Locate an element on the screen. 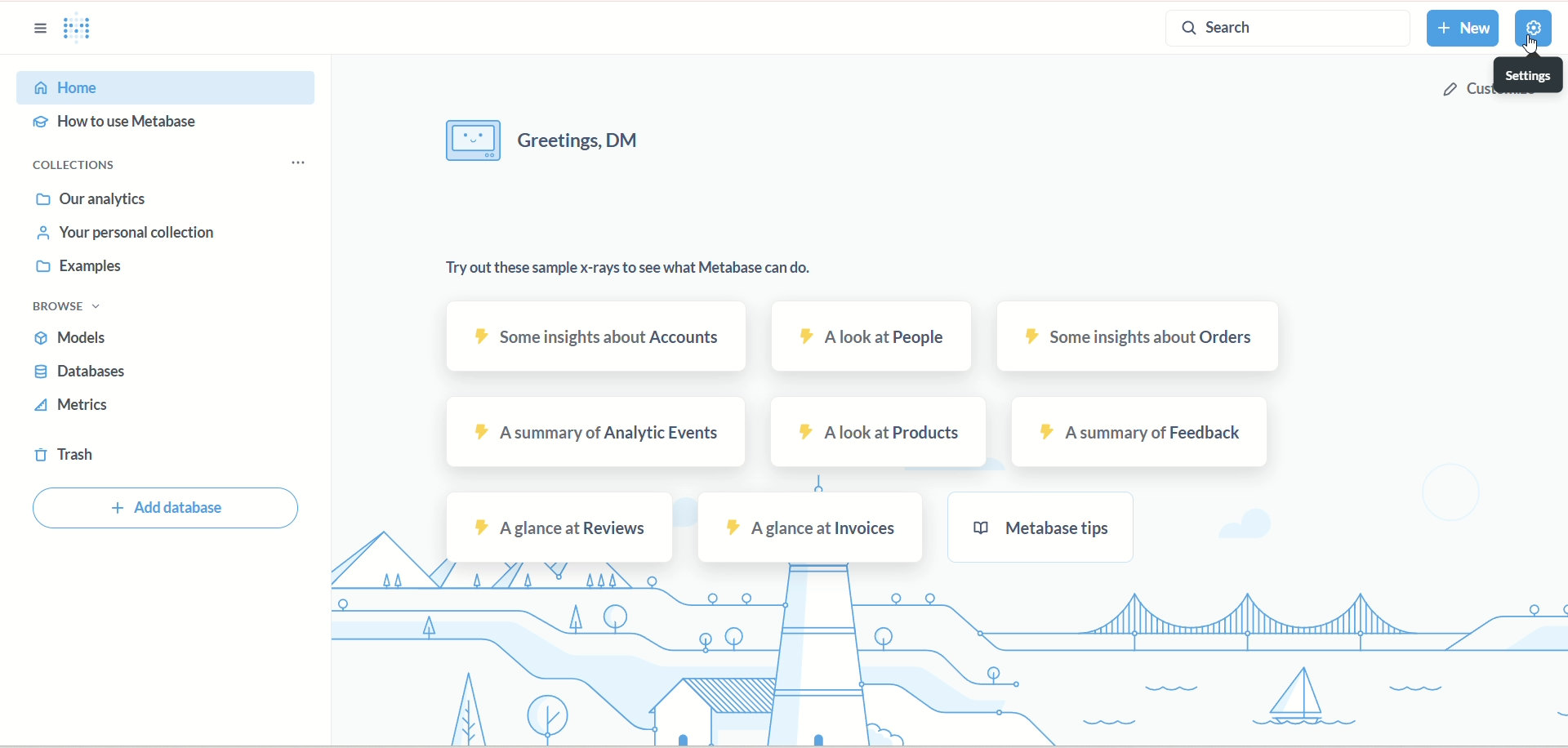 The image size is (1568, 748). A glance at invoices is located at coordinates (809, 527).